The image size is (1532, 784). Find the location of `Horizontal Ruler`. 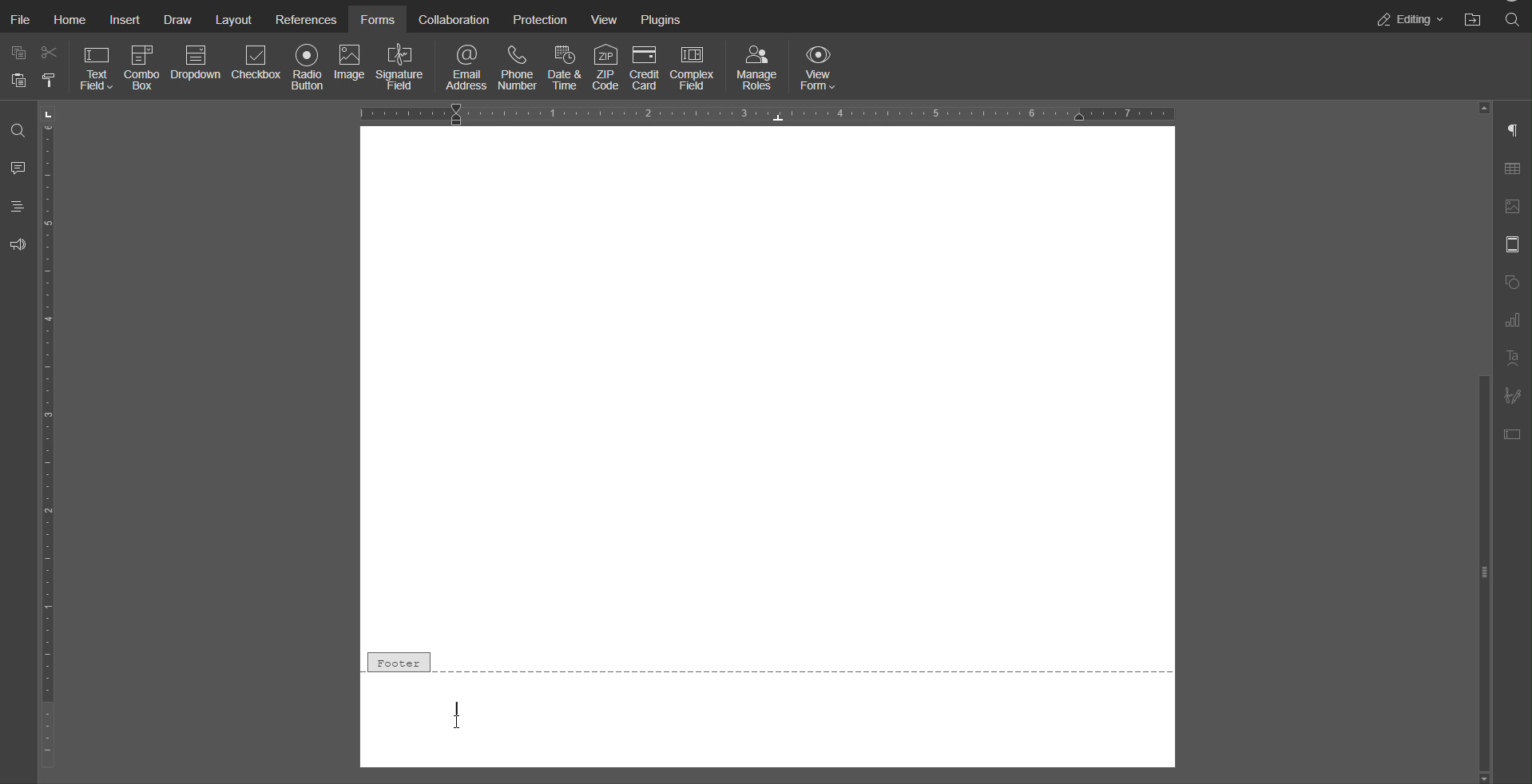

Horizontal Ruler is located at coordinates (766, 113).